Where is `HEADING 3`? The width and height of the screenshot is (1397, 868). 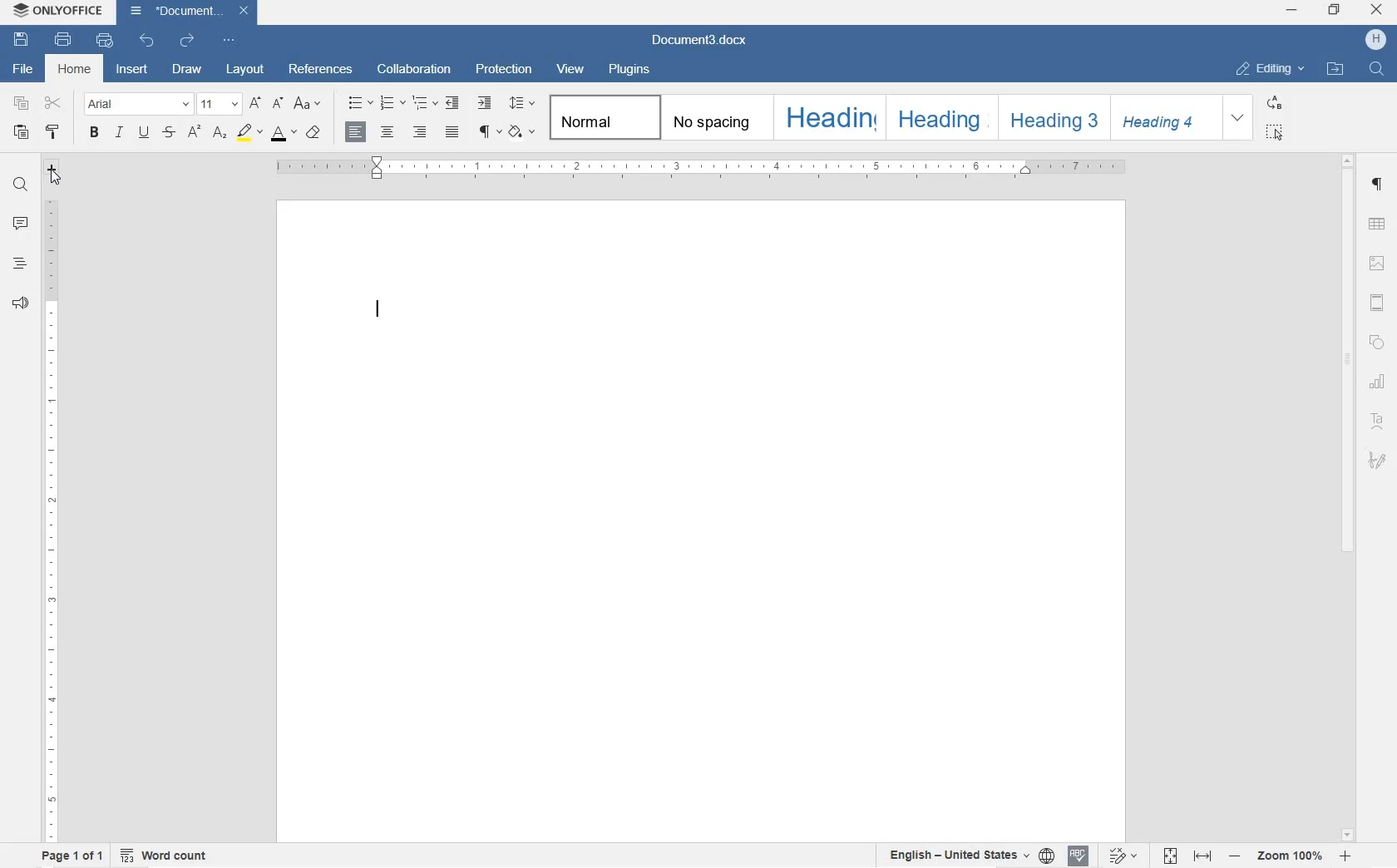
HEADING 3 is located at coordinates (1049, 119).